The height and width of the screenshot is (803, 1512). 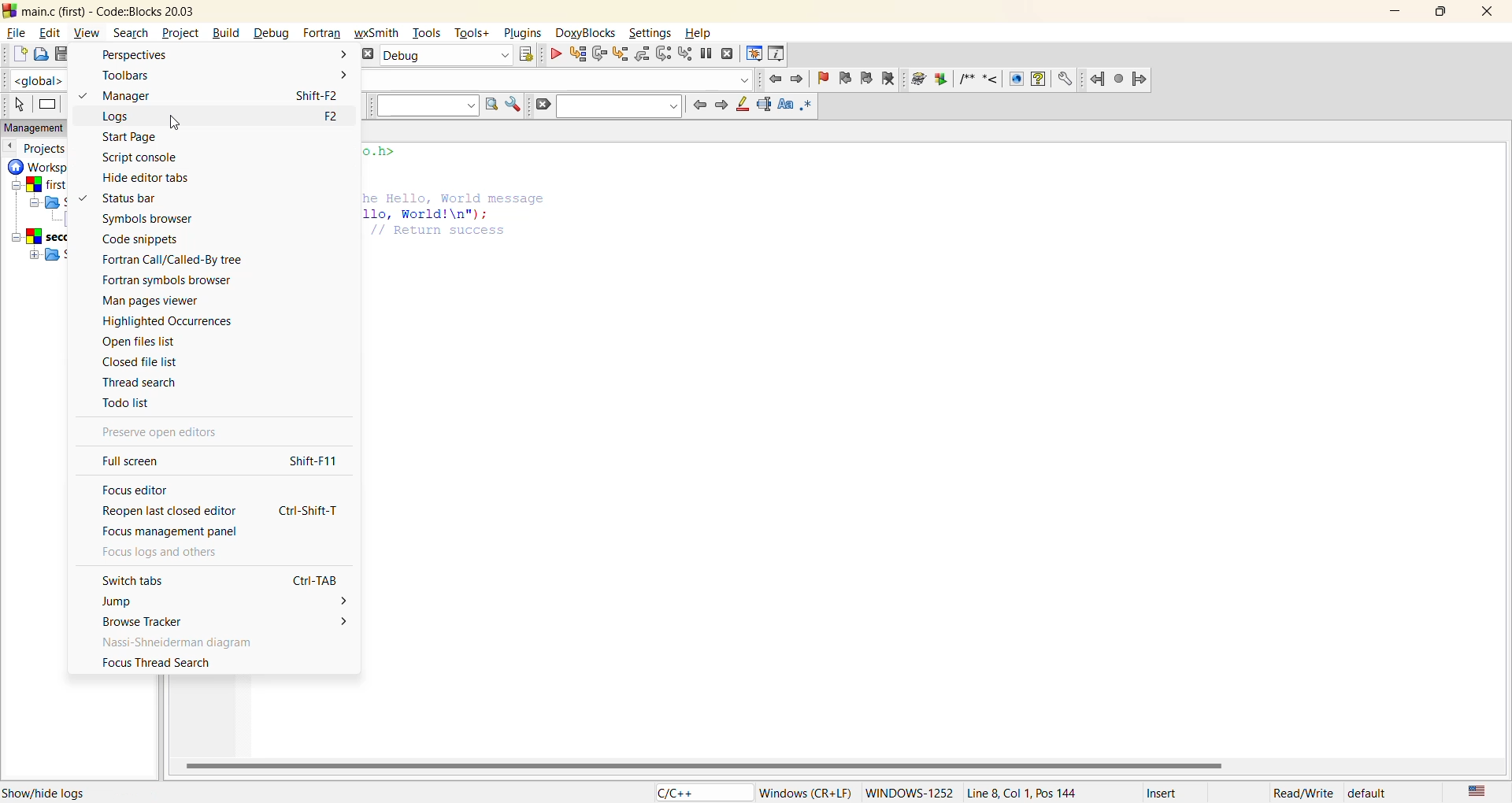 I want to click on default, so click(x=1369, y=793).